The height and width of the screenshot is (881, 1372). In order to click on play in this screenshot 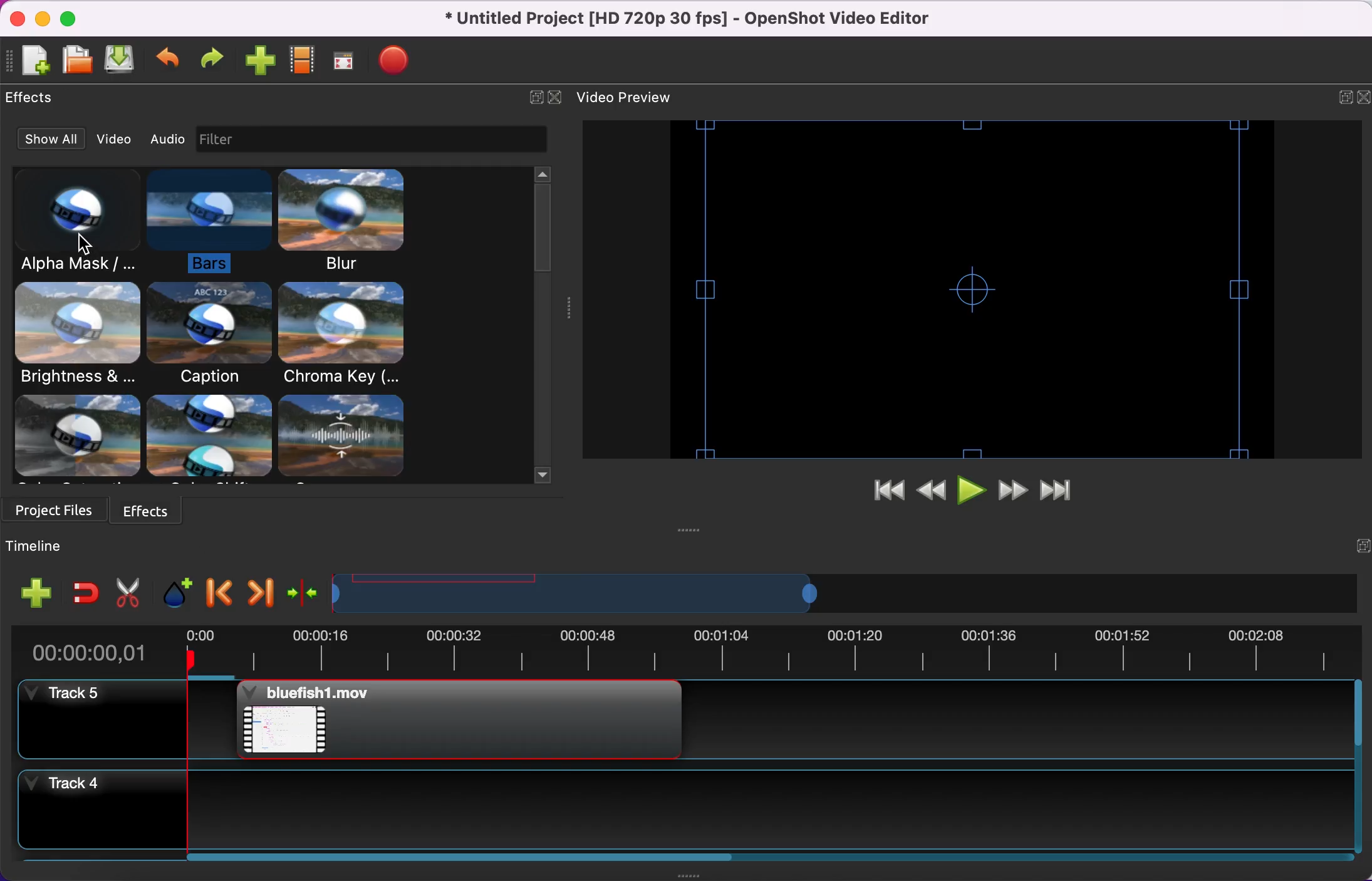, I will do `click(972, 491)`.